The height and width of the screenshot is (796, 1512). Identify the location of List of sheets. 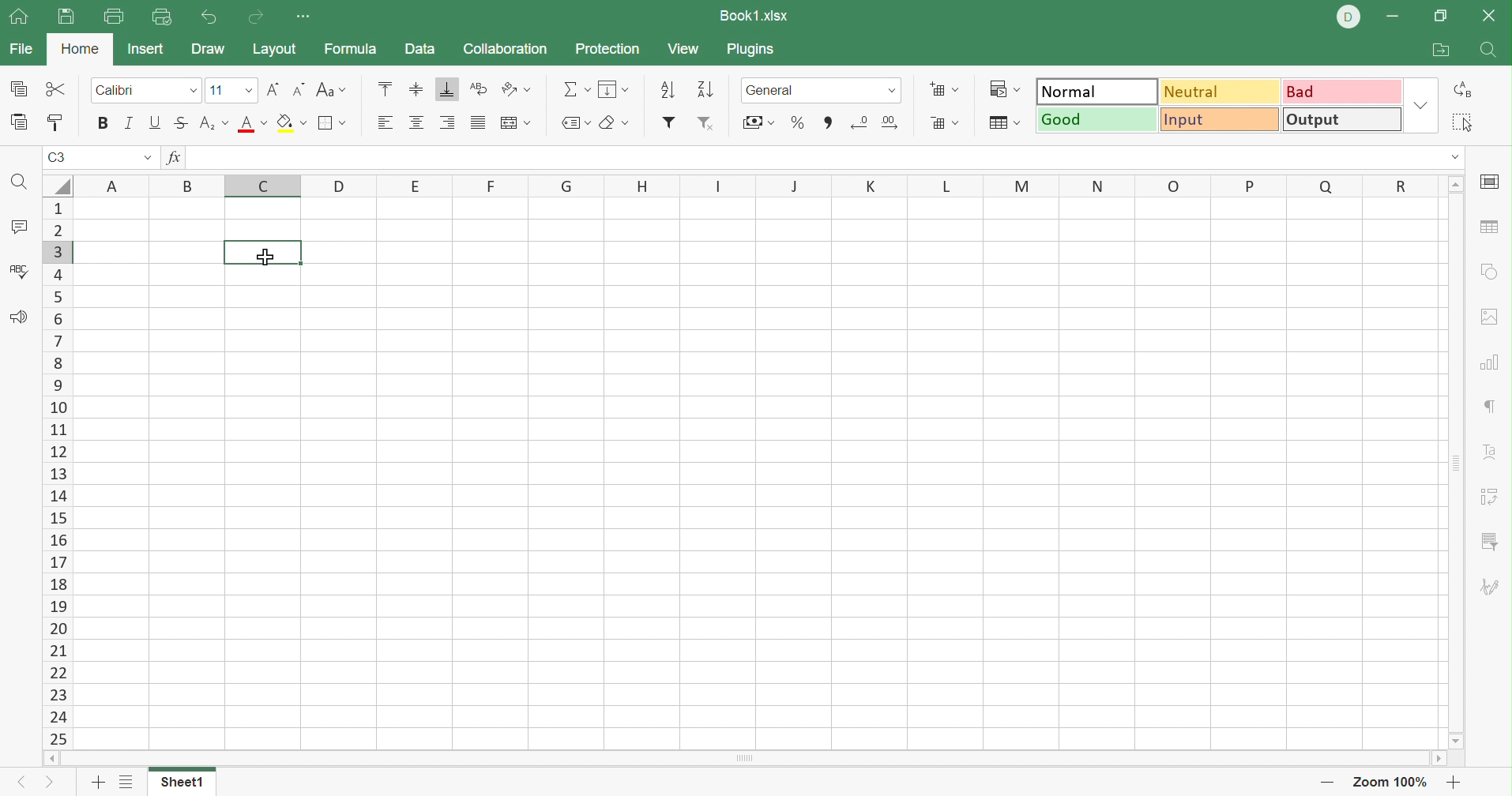
(128, 782).